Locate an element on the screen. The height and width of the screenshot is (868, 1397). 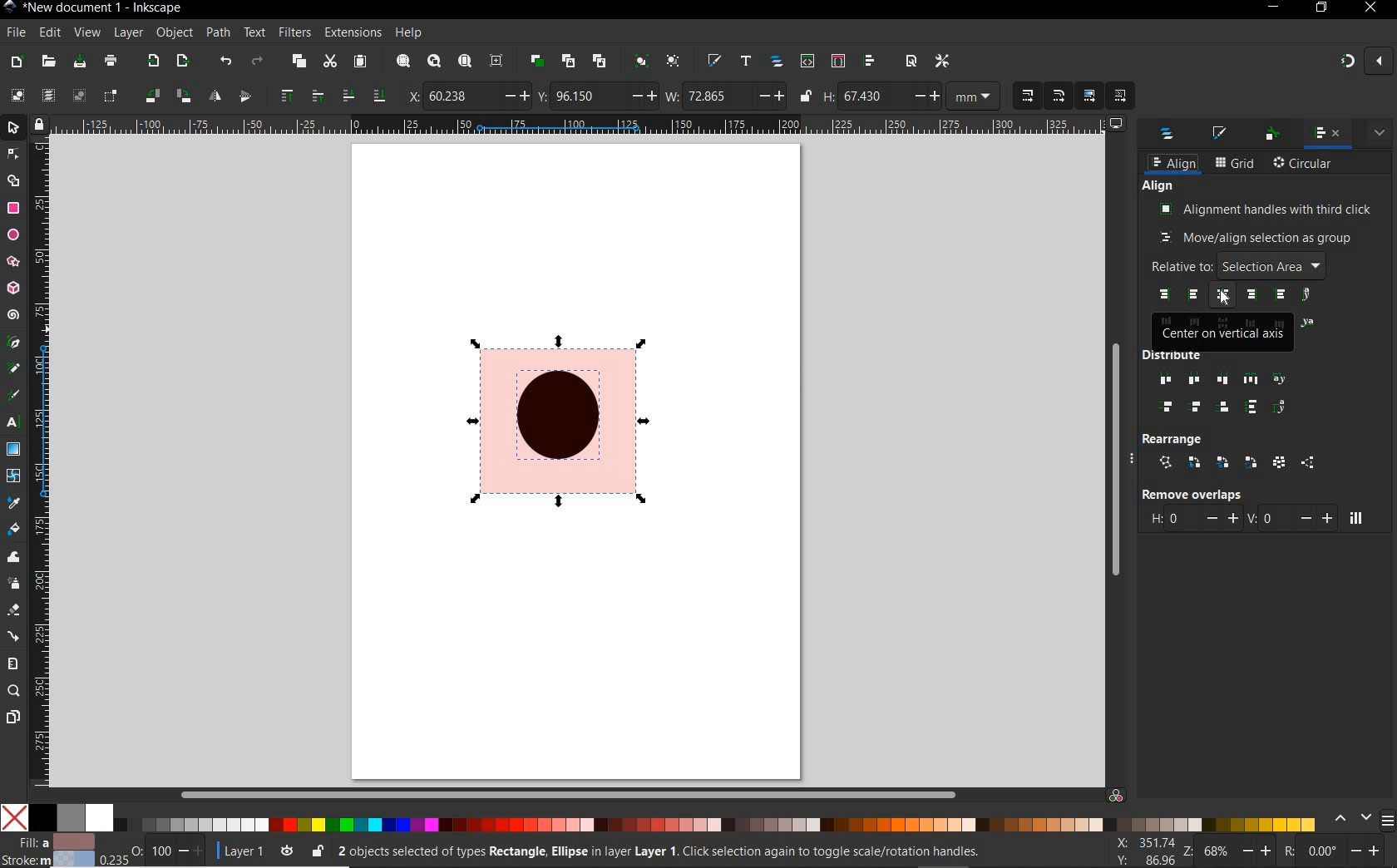
unlink clone is located at coordinates (602, 60).